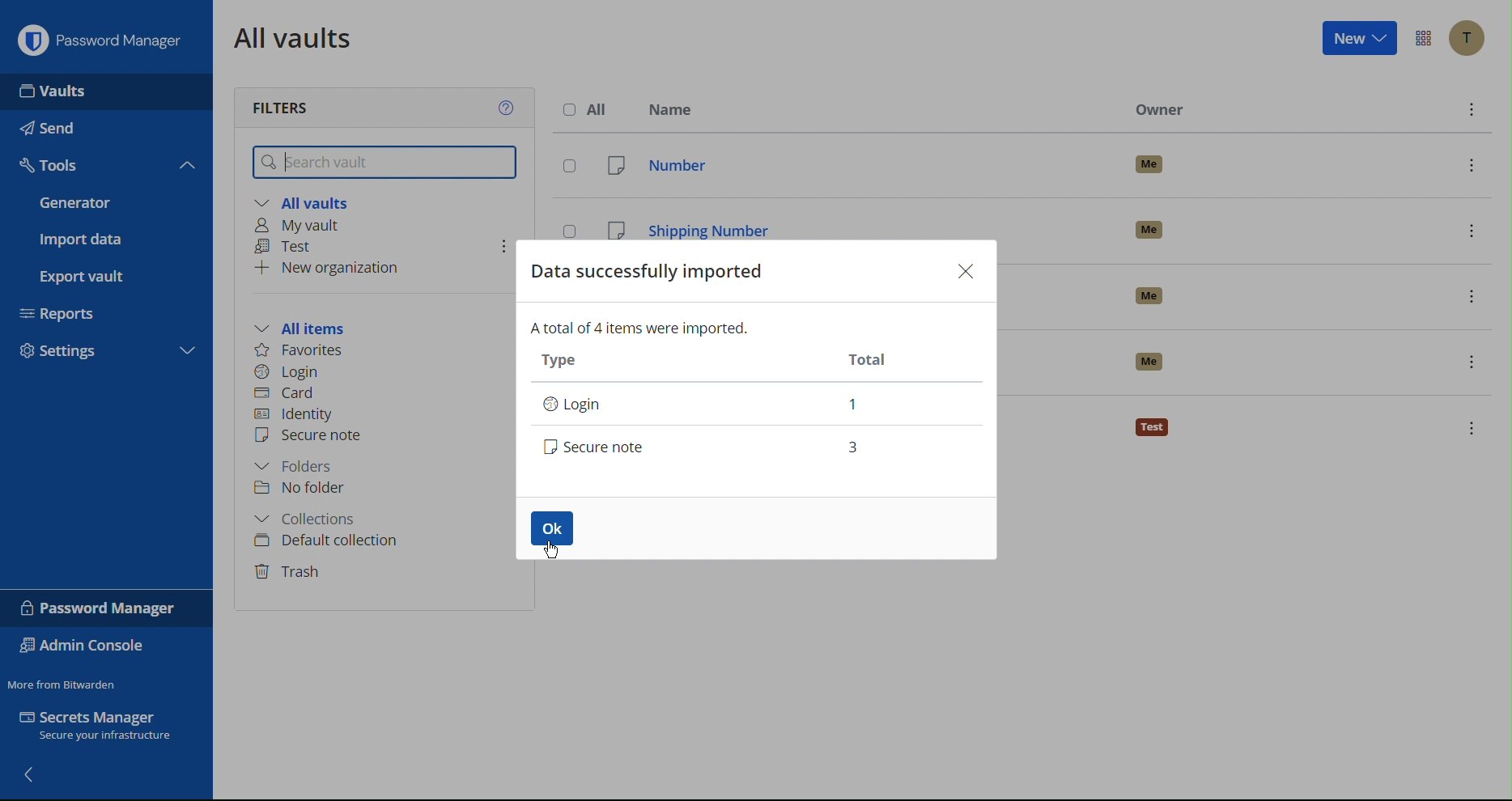  What do you see at coordinates (1471, 428) in the screenshot?
I see `options` at bounding box center [1471, 428].